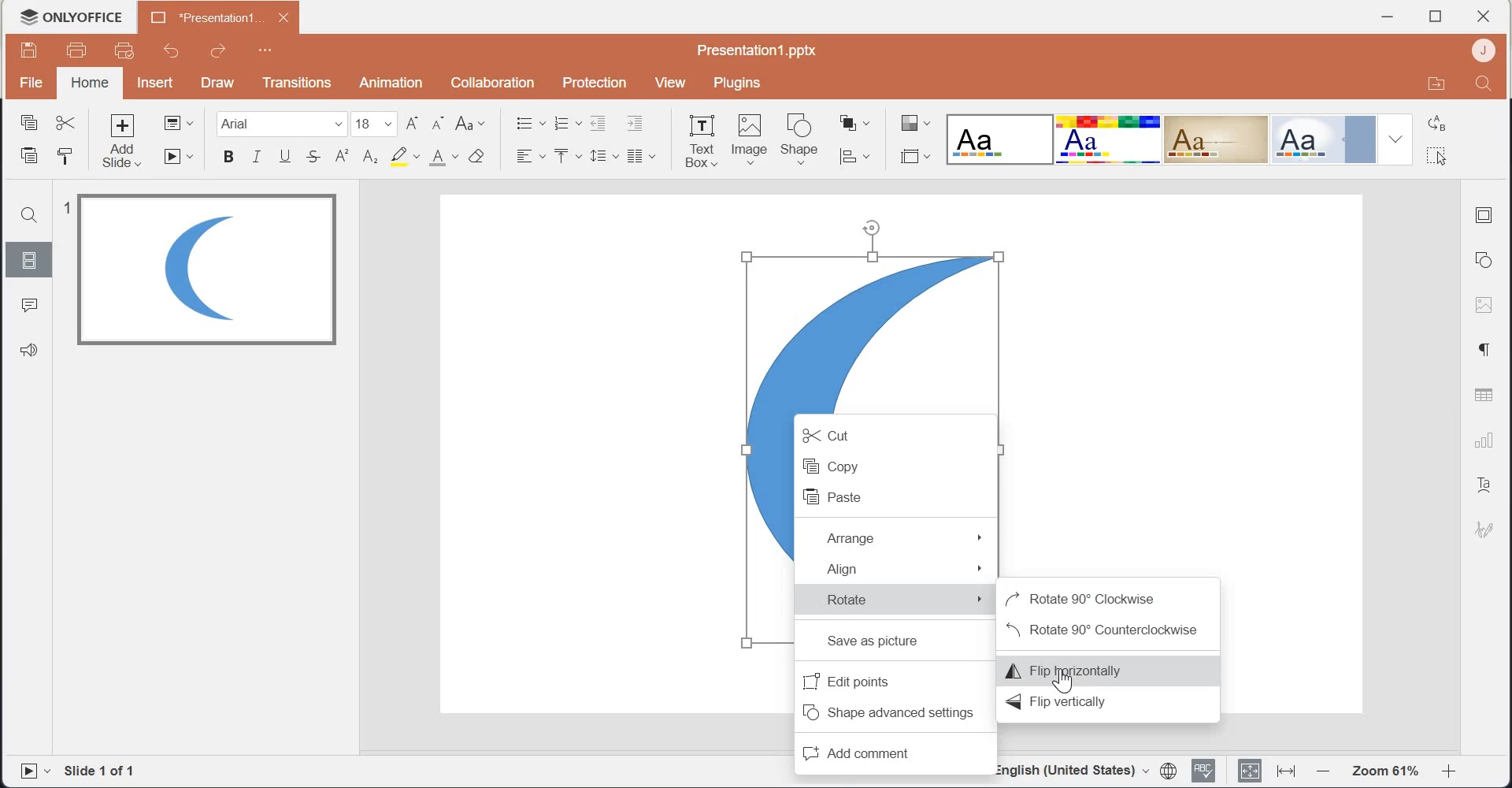 This screenshot has width=1512, height=788. Describe the element at coordinates (215, 84) in the screenshot. I see `Draw` at that location.